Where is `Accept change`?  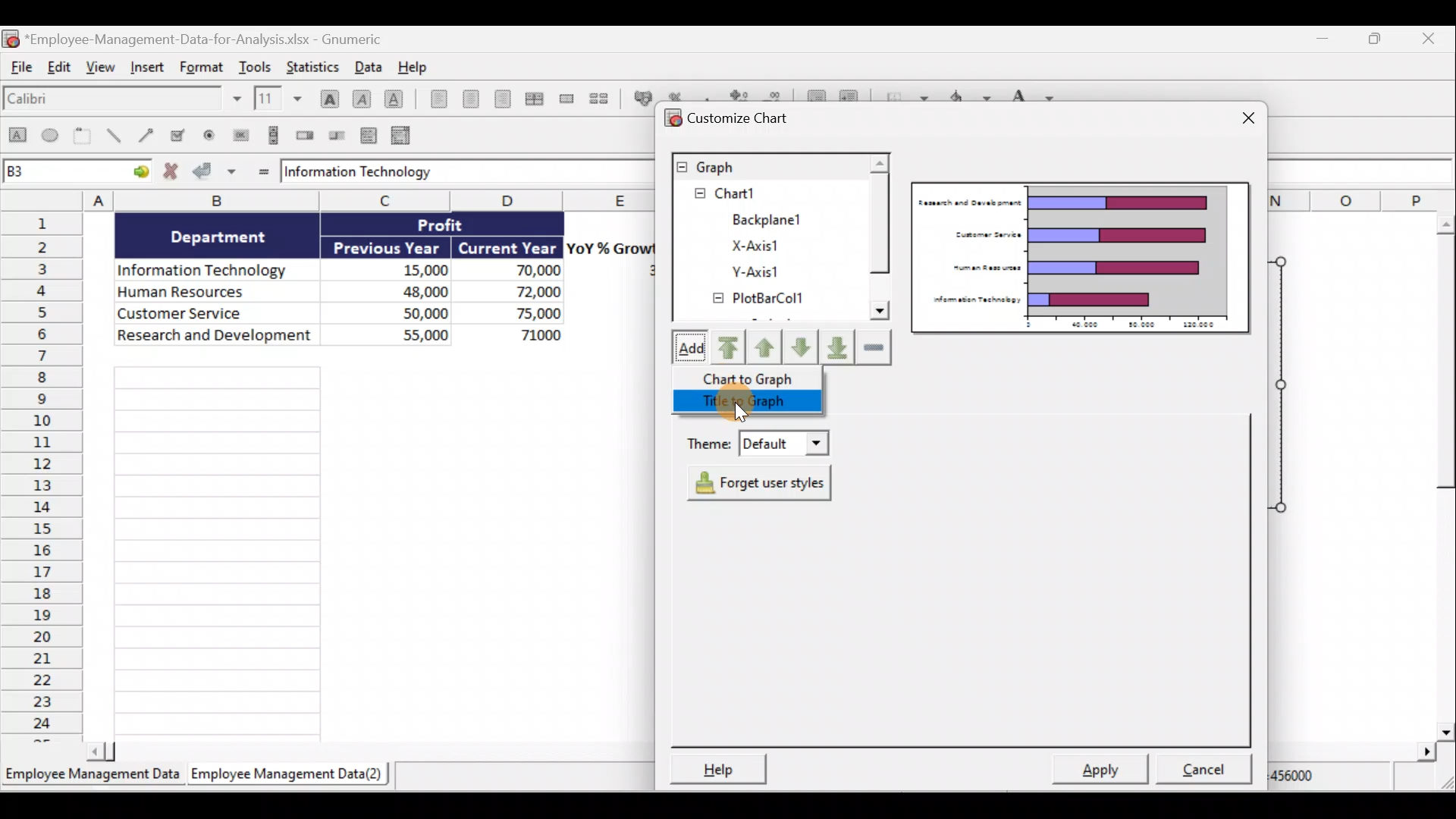
Accept change is located at coordinates (215, 171).